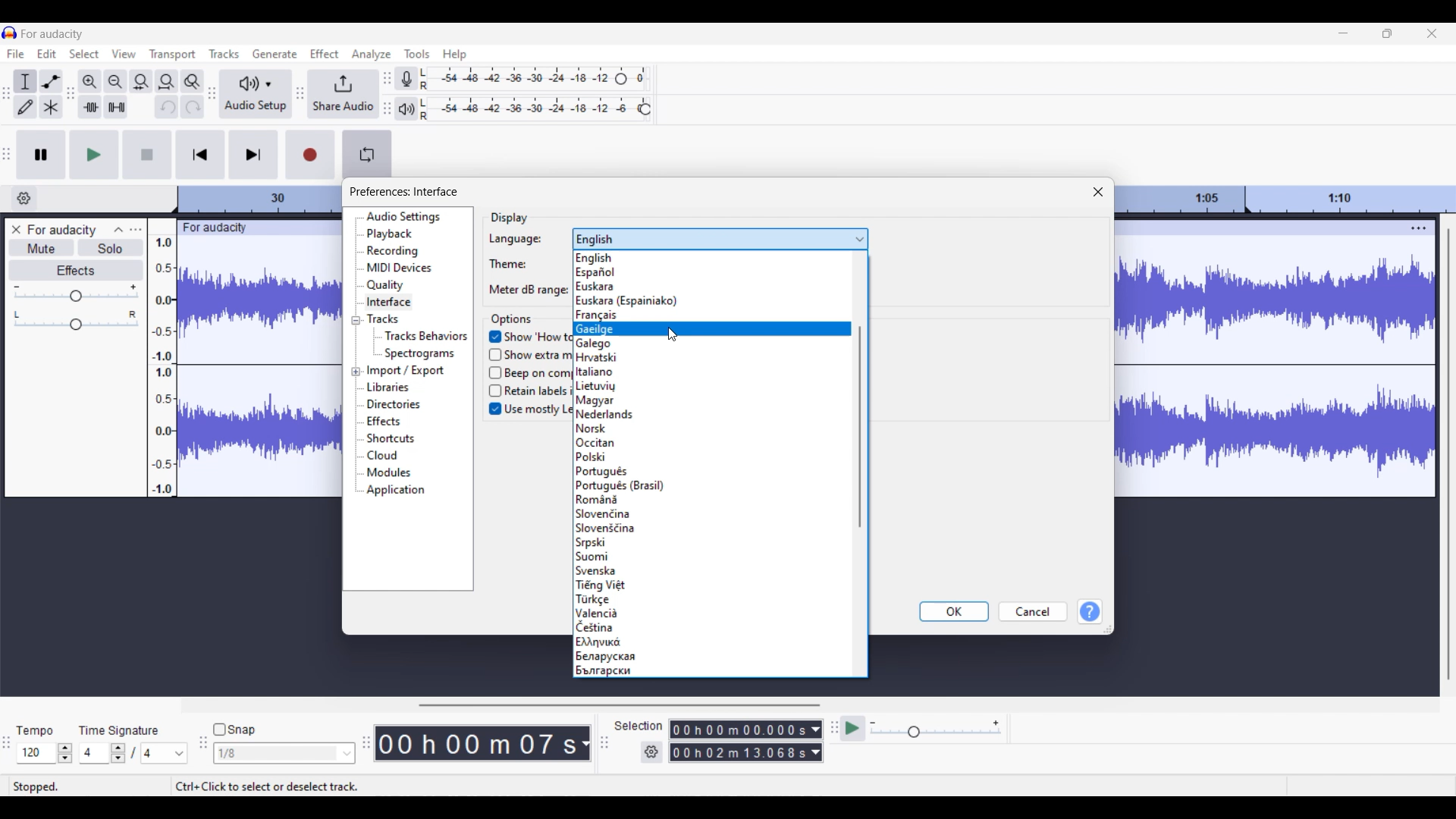 The height and width of the screenshot is (819, 1456). Describe the element at coordinates (383, 455) in the screenshot. I see `Cloud` at that location.